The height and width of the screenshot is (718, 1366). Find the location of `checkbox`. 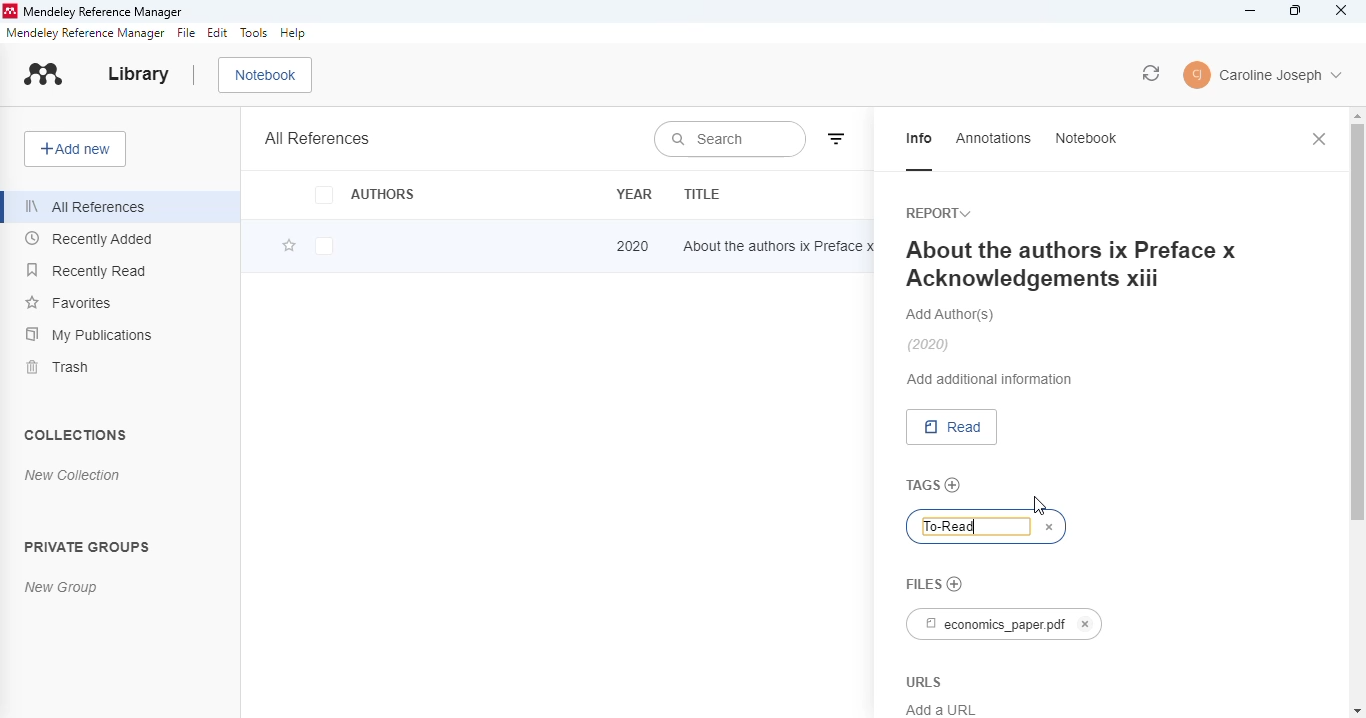

checkbox is located at coordinates (326, 248).